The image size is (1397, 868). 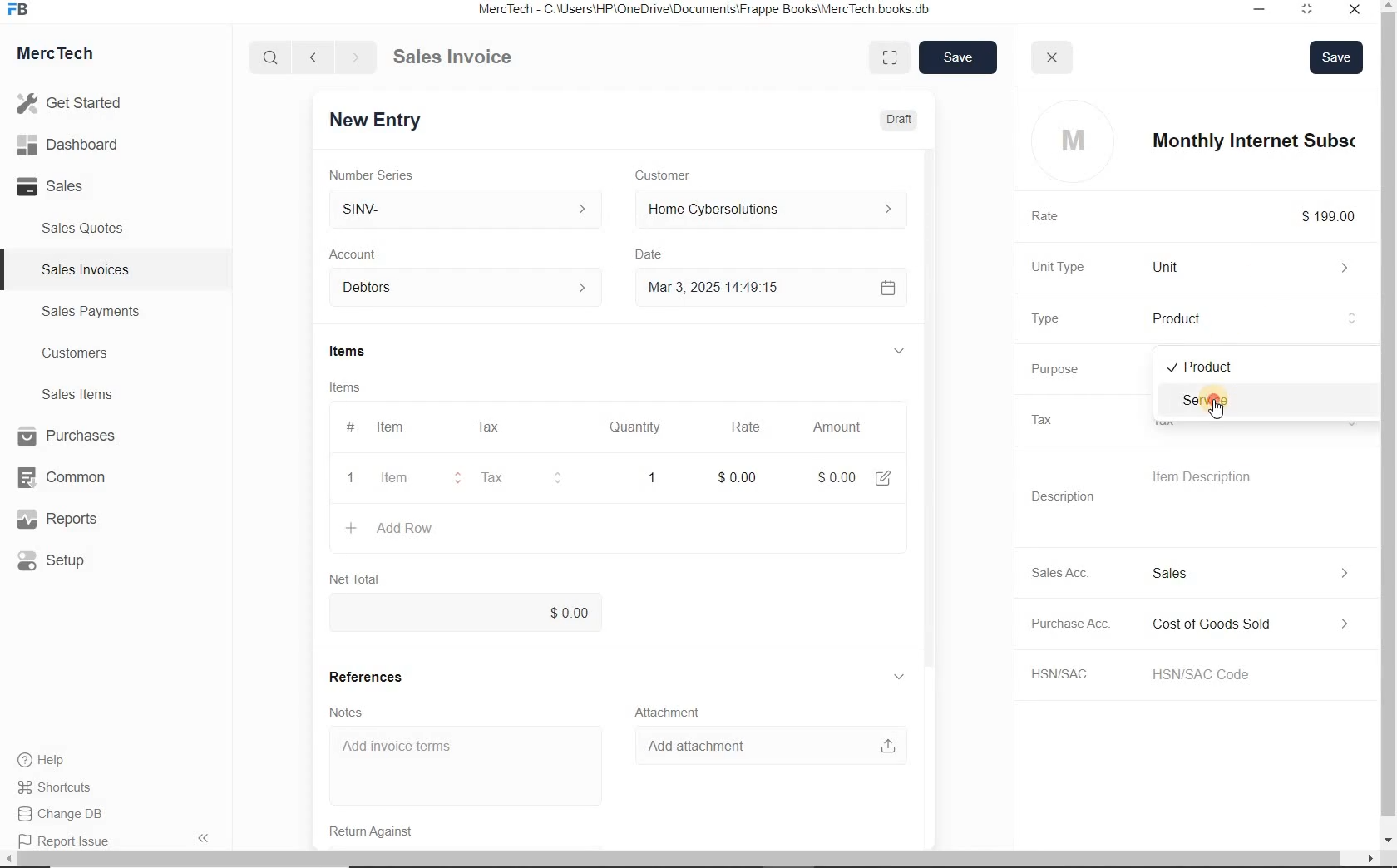 I want to click on Minimize, so click(x=1261, y=12).